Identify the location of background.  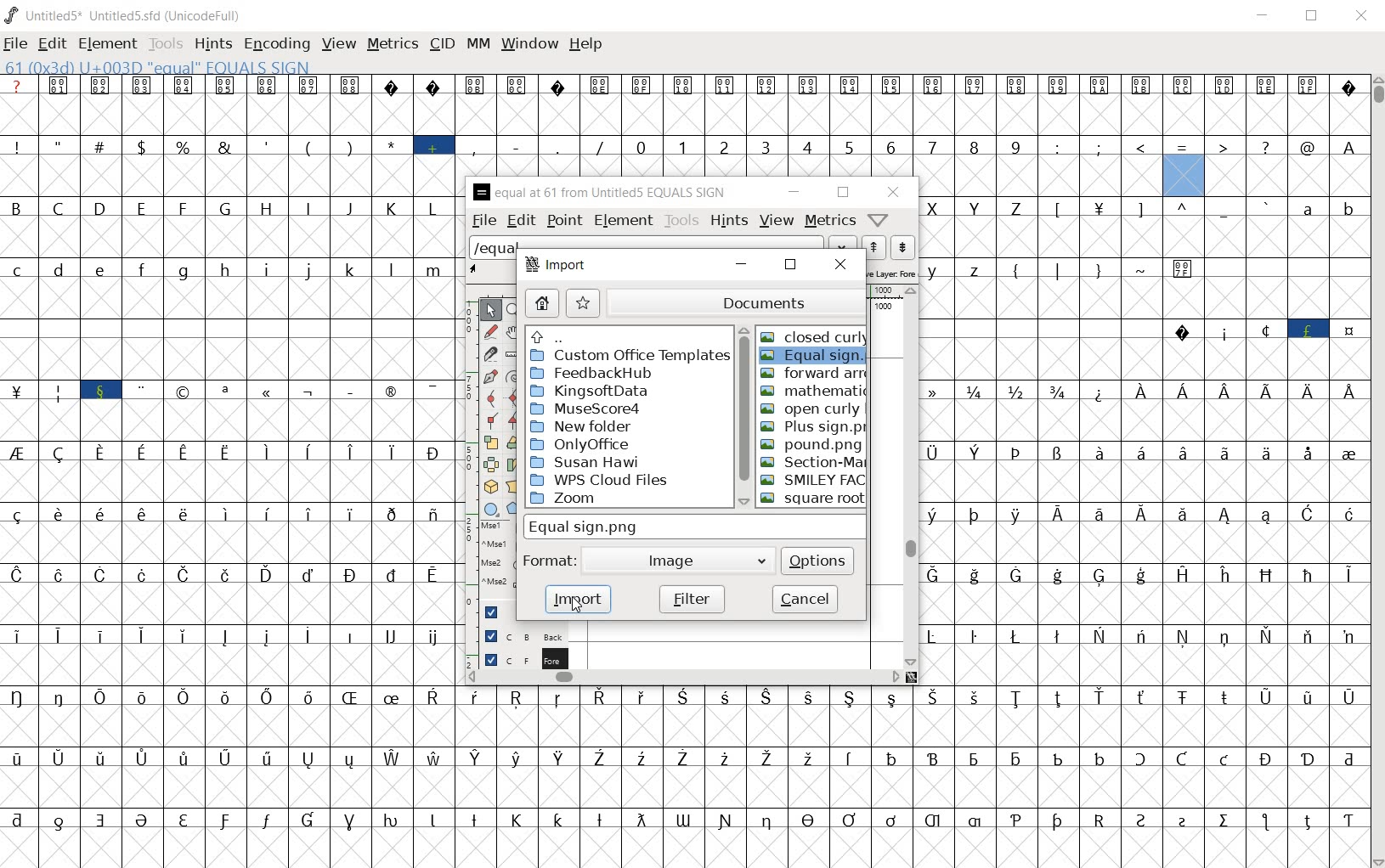
(523, 635).